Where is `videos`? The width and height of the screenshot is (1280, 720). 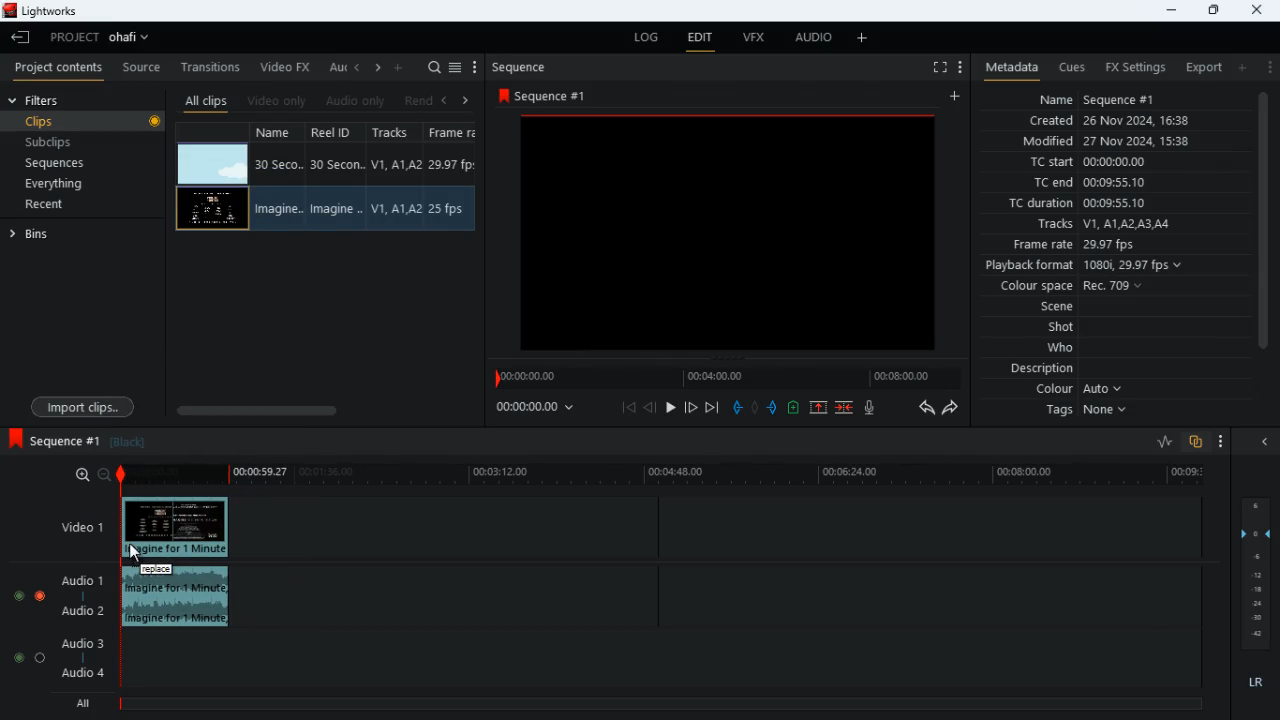 videos is located at coordinates (213, 164).